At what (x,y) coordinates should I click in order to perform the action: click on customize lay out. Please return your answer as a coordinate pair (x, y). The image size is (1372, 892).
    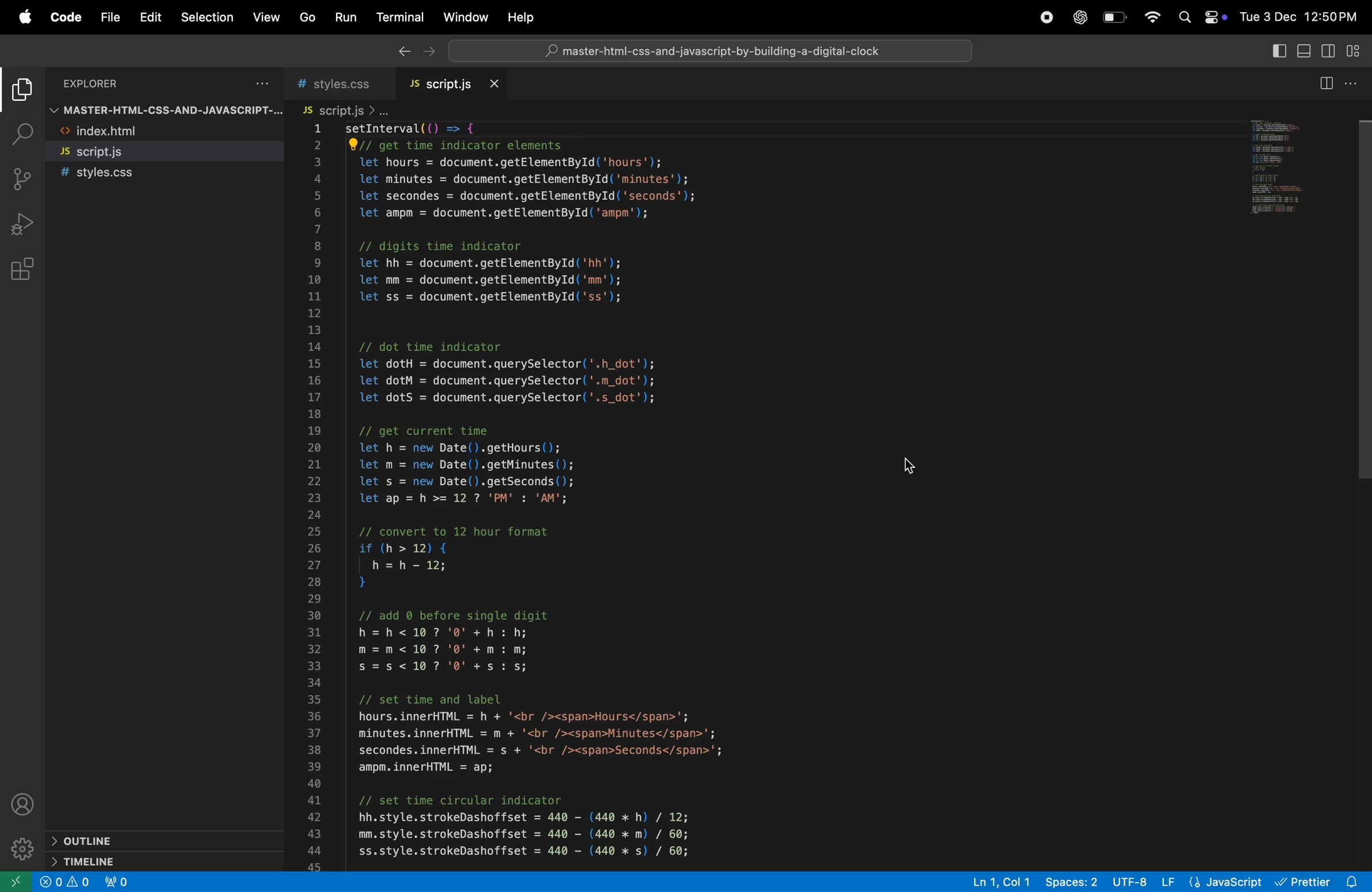
    Looking at the image, I should click on (1356, 50).